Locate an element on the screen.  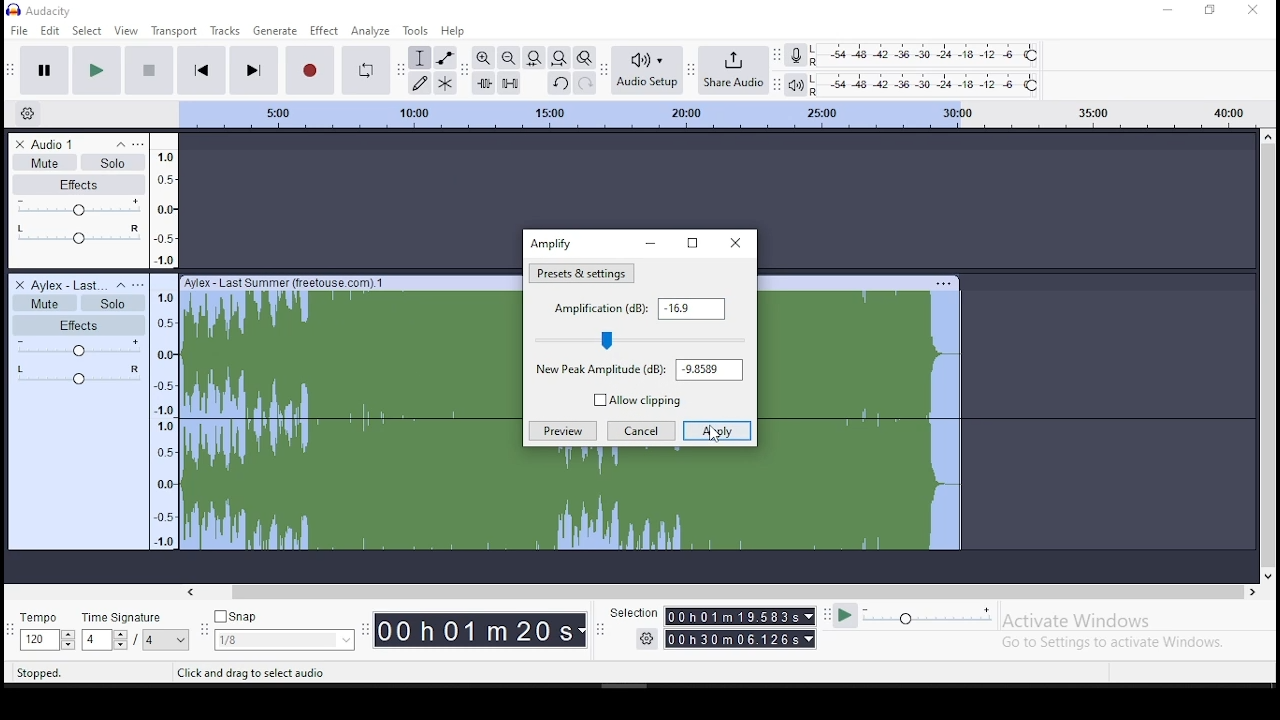
new peak amplitube is located at coordinates (639, 370).